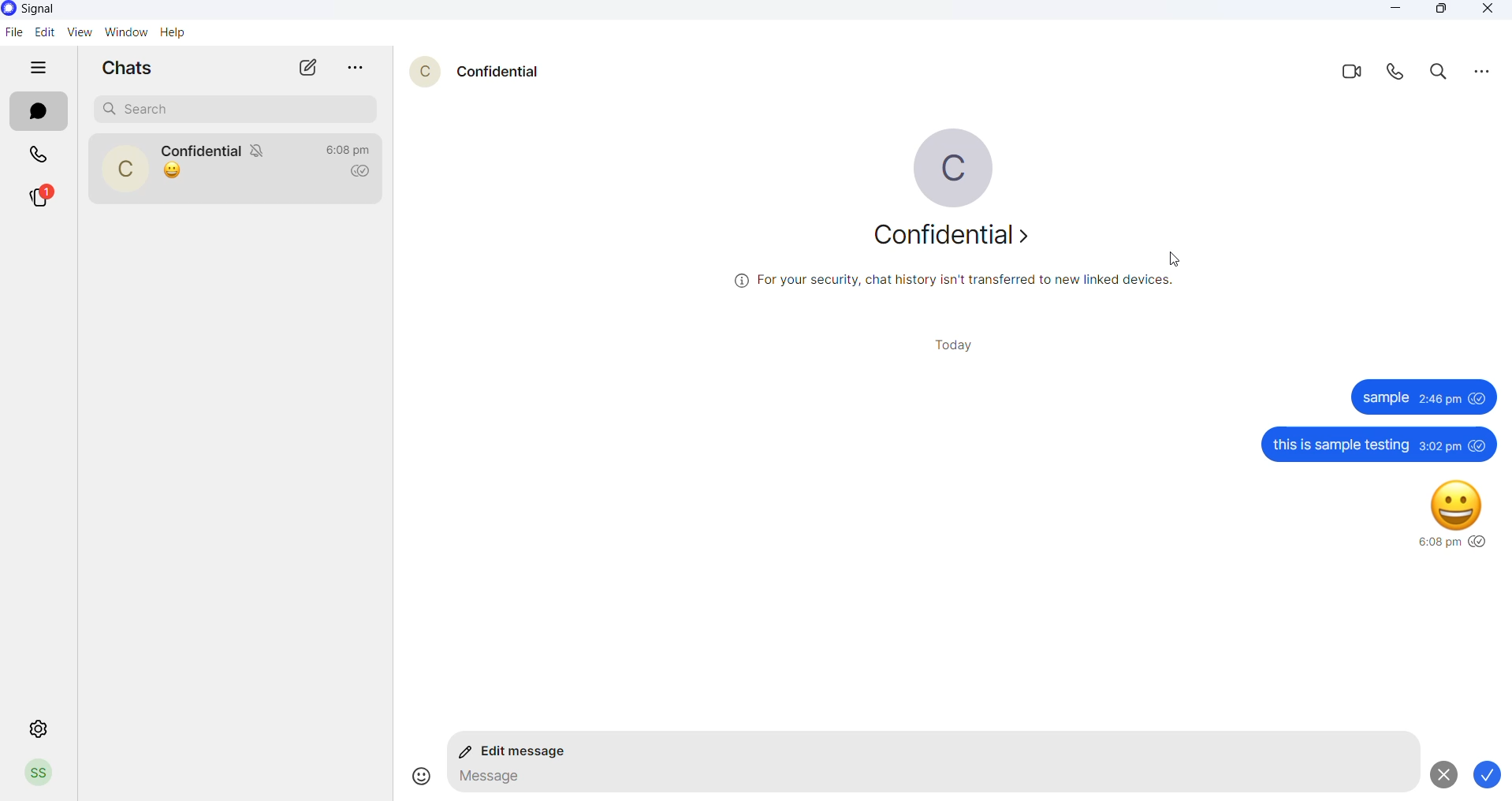 This screenshot has height=801, width=1512. I want to click on seen, so click(1479, 445).